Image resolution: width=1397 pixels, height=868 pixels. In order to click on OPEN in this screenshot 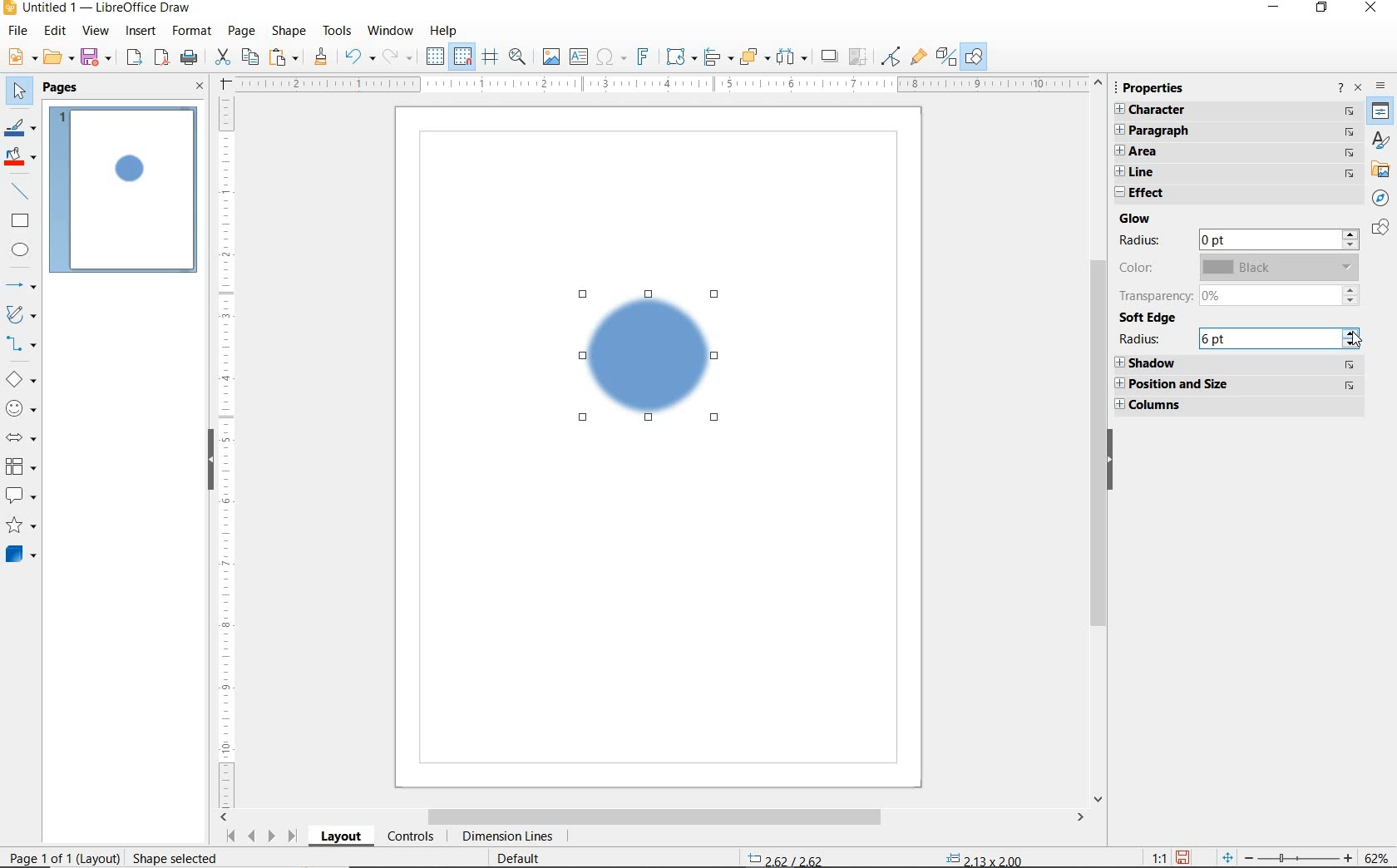, I will do `click(58, 57)`.